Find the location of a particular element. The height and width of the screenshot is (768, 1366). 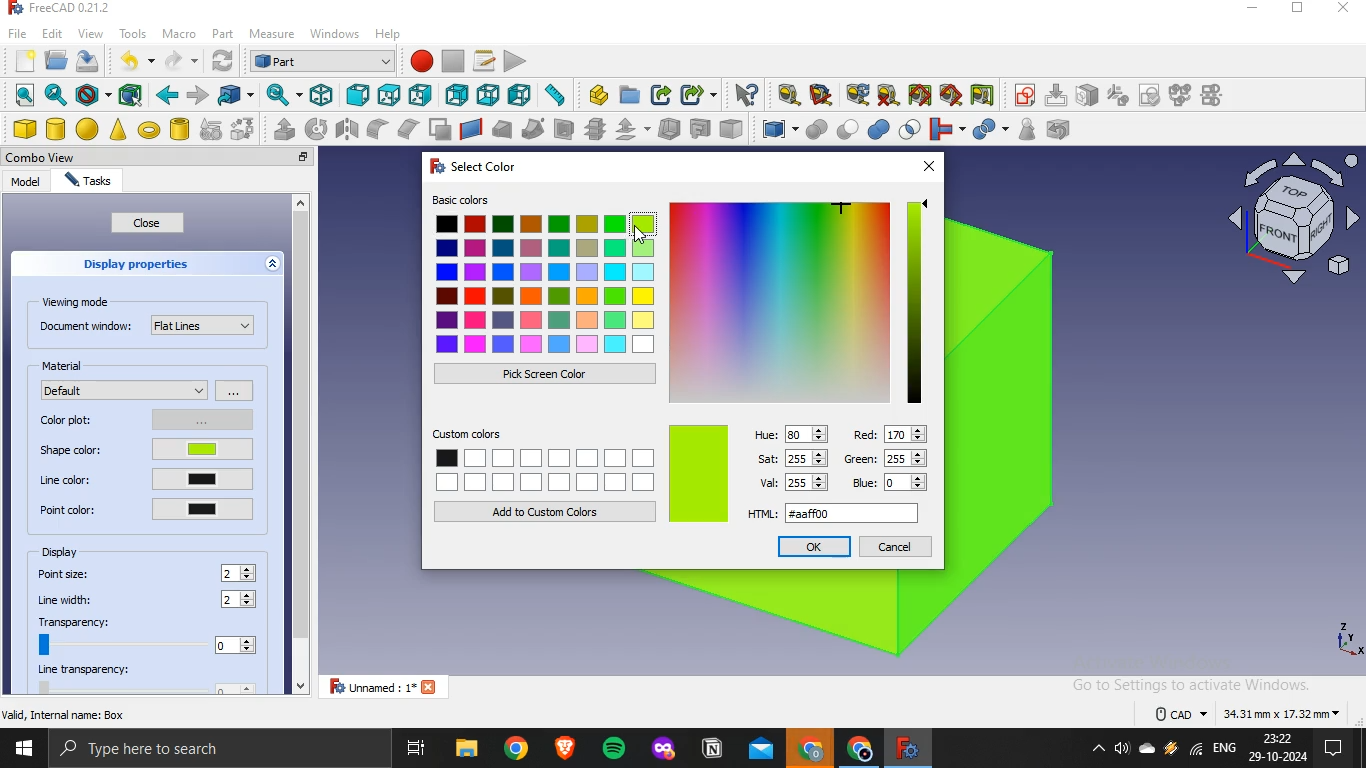

tools is located at coordinates (133, 32).